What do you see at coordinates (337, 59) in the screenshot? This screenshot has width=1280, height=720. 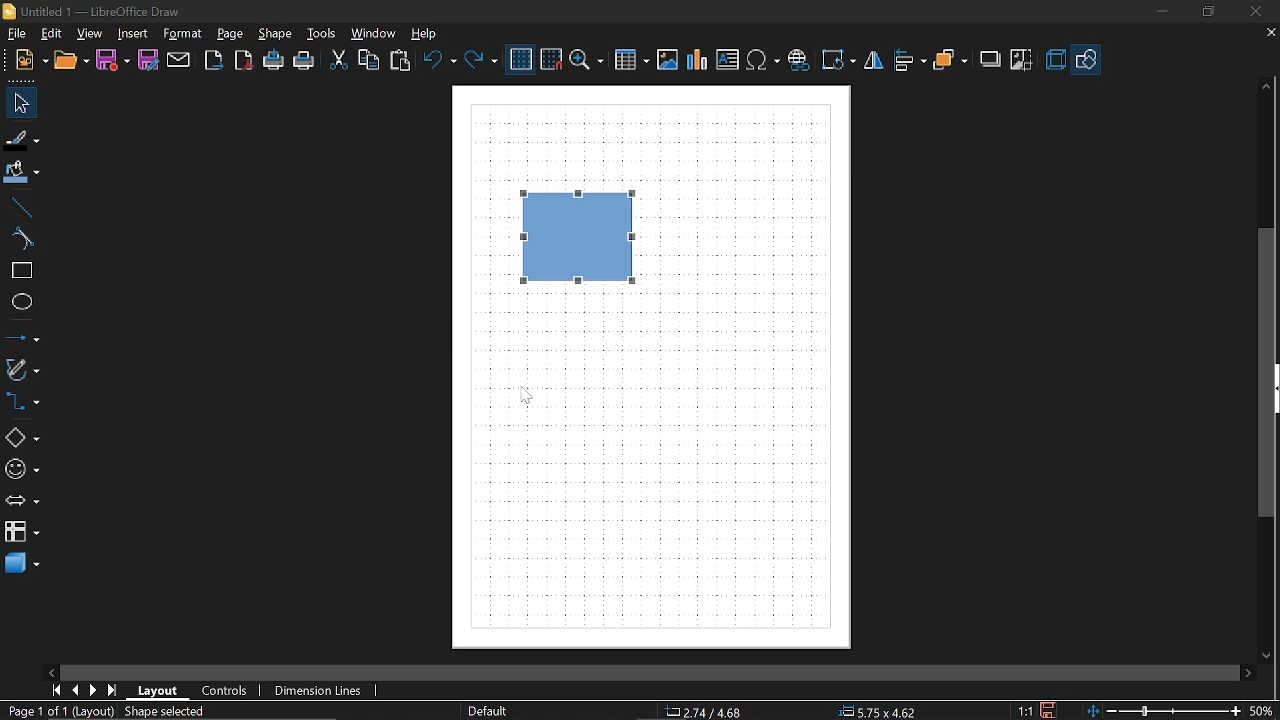 I see `Cut` at bounding box center [337, 59].